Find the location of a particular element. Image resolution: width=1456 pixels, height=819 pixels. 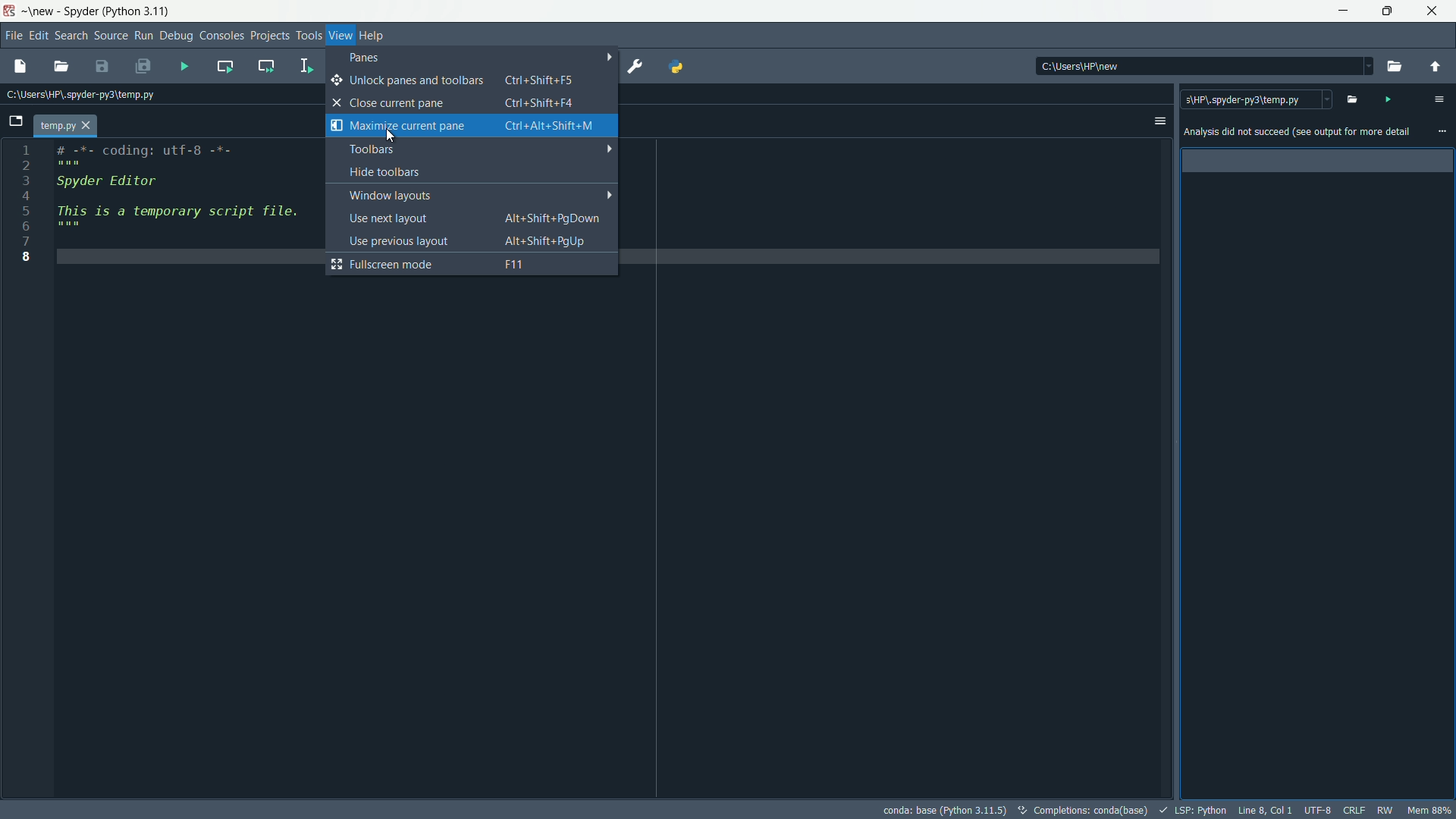

Spyder is located at coordinates (79, 11).